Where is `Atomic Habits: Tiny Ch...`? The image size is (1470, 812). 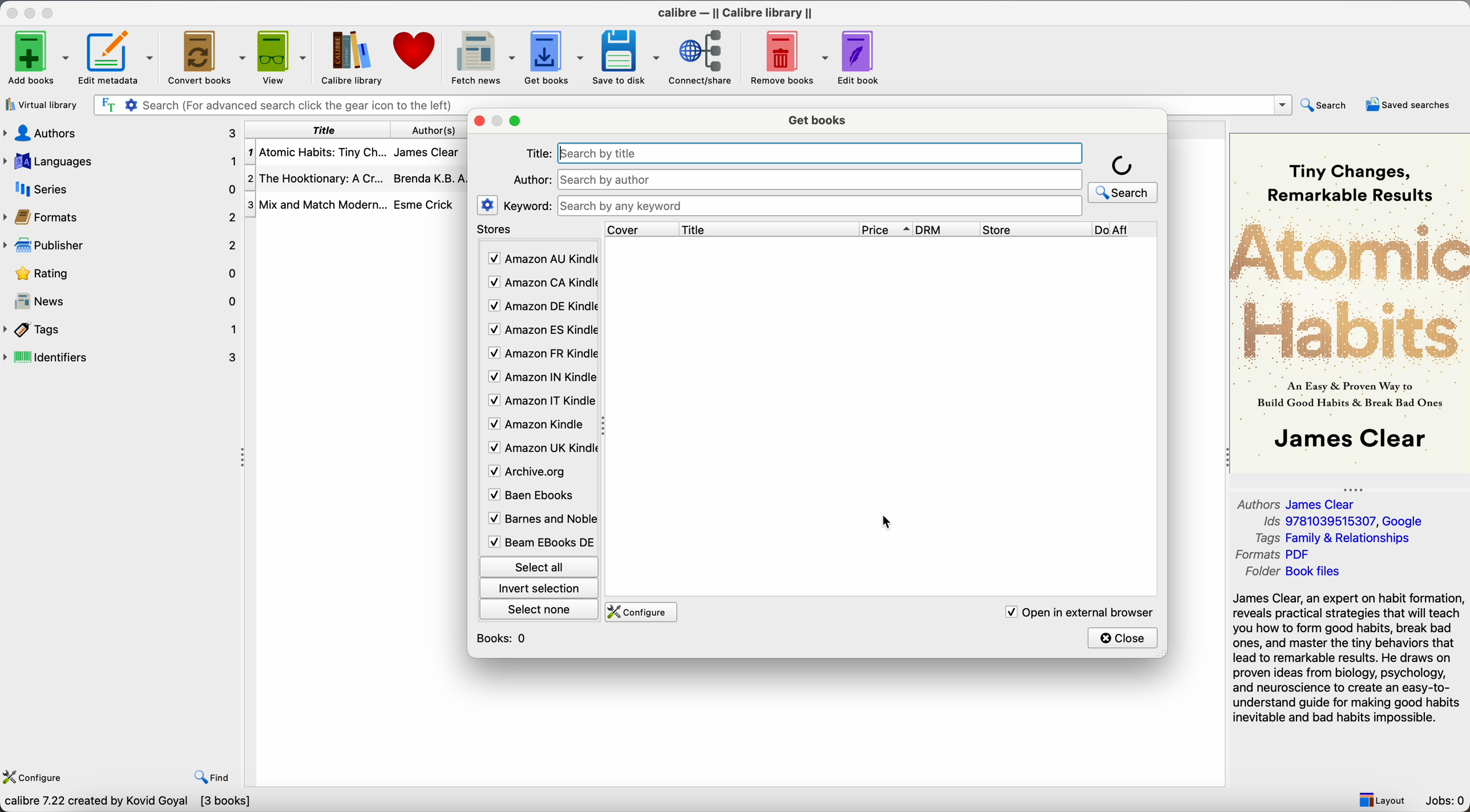
Atomic Habits: Tiny Ch... is located at coordinates (320, 152).